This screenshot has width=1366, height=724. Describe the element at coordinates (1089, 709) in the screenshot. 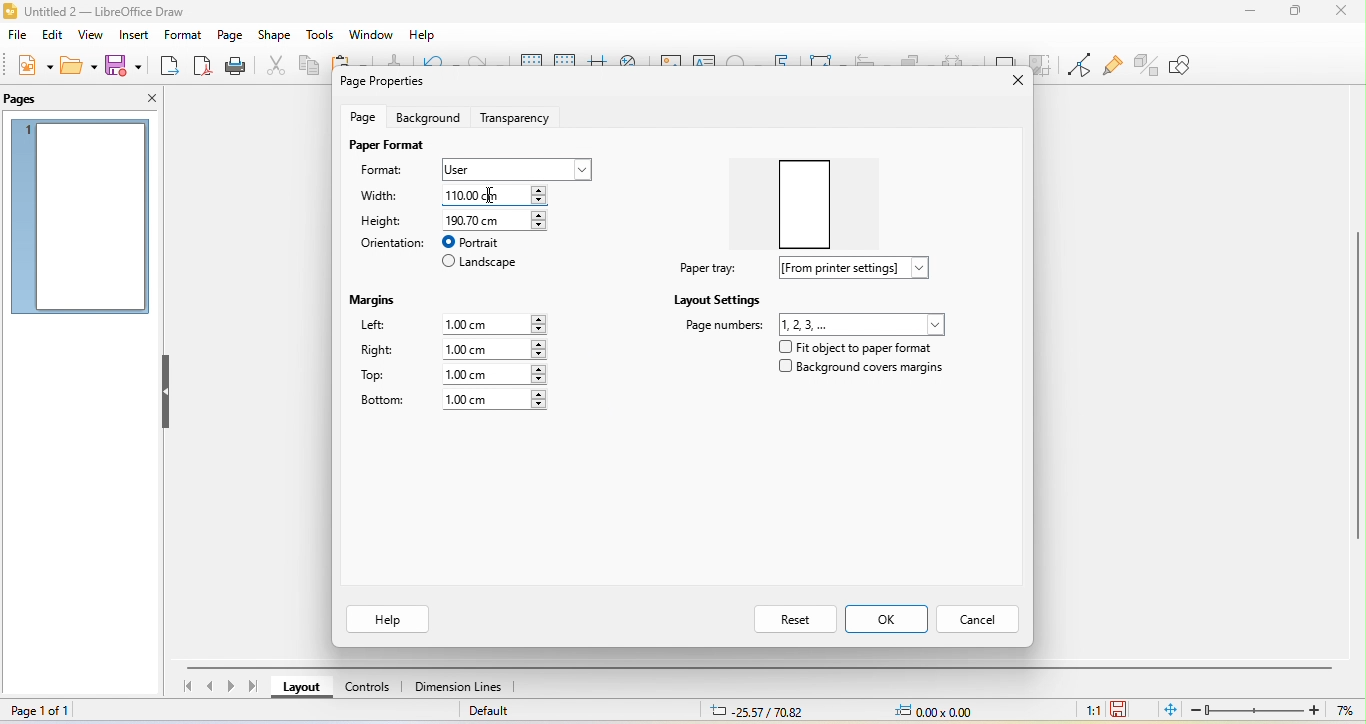

I see `1:1` at that location.